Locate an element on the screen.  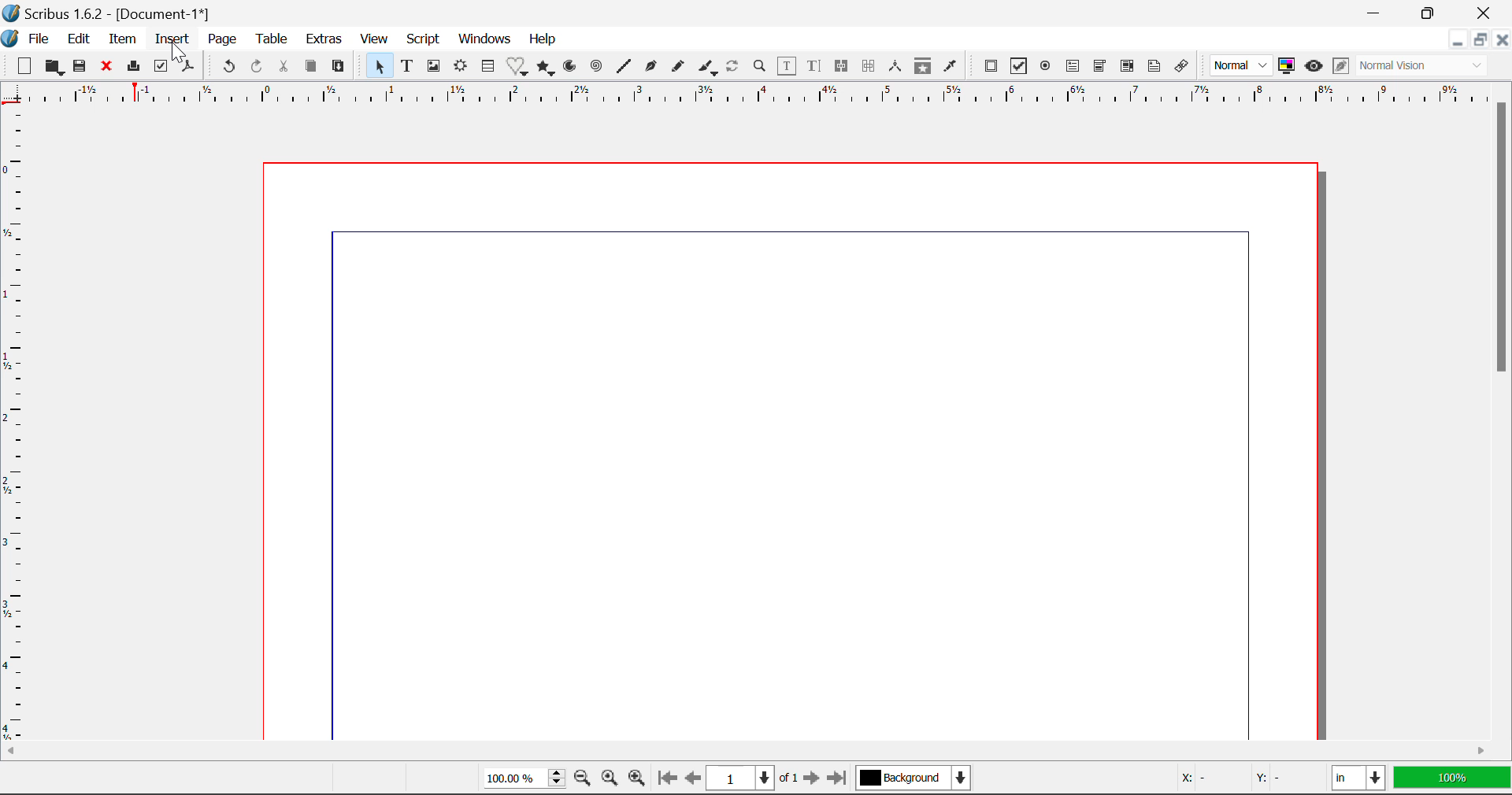
First Page is located at coordinates (667, 778).